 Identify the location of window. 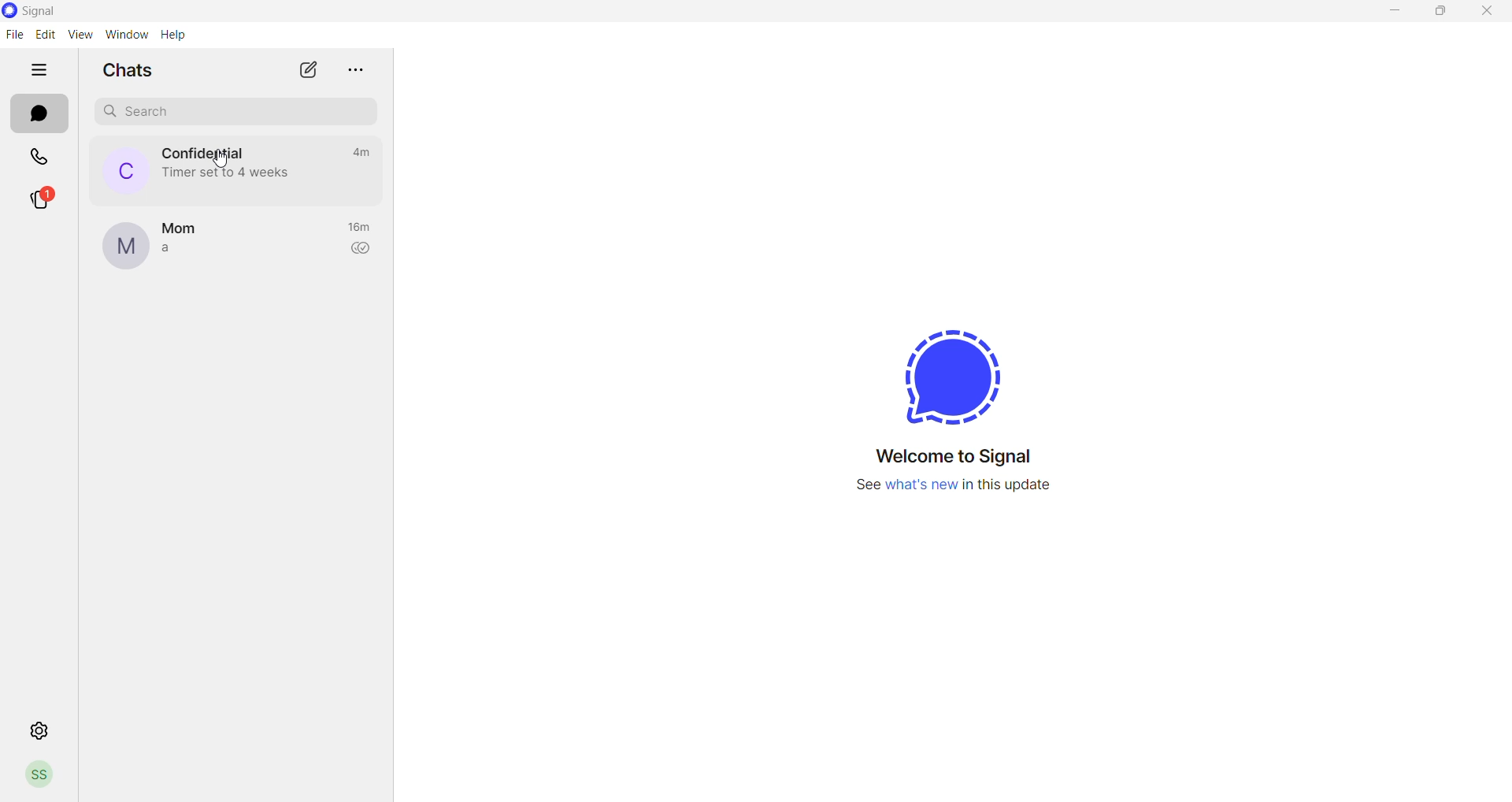
(129, 35).